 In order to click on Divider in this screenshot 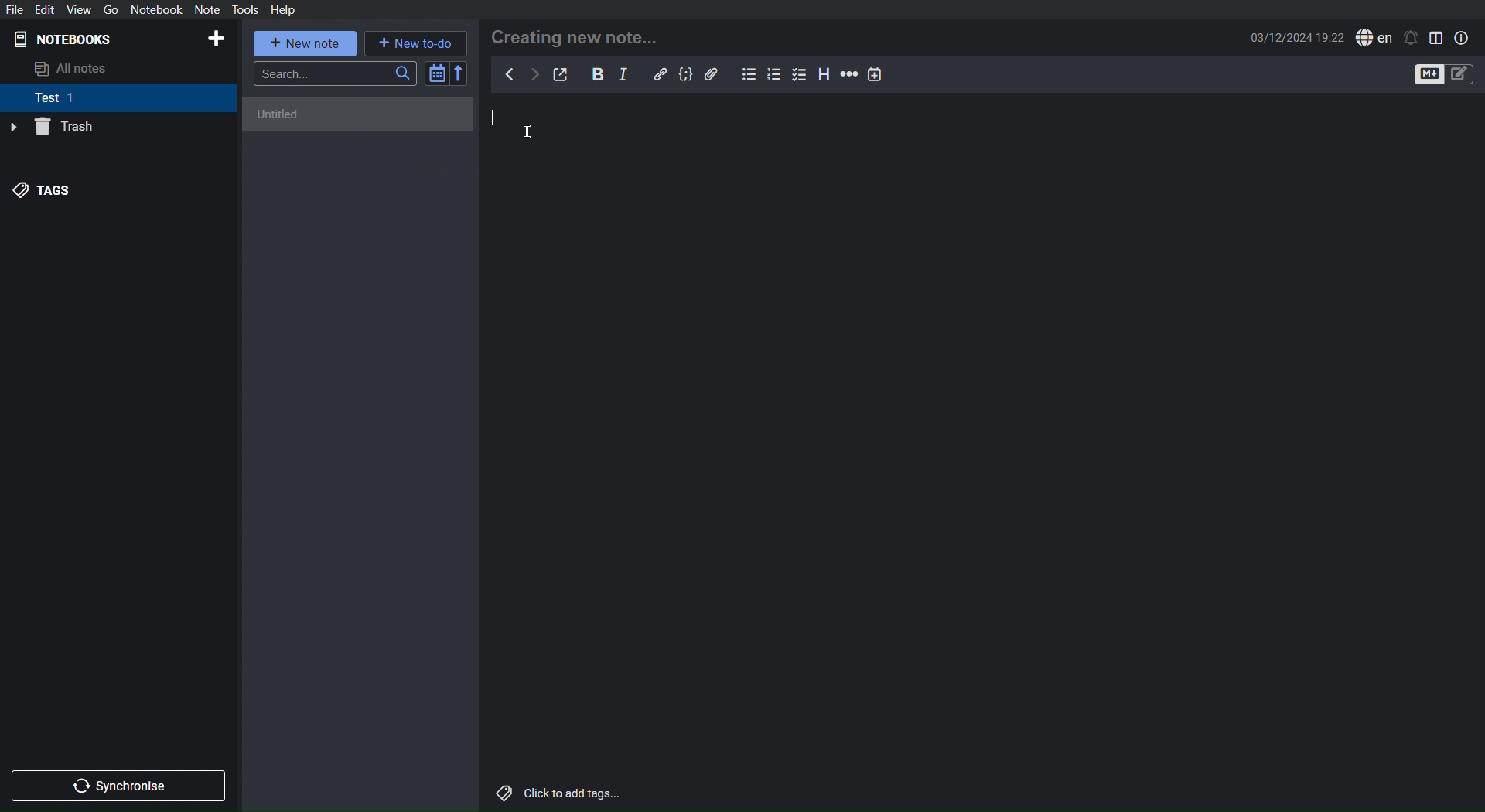, I will do `click(987, 439)`.